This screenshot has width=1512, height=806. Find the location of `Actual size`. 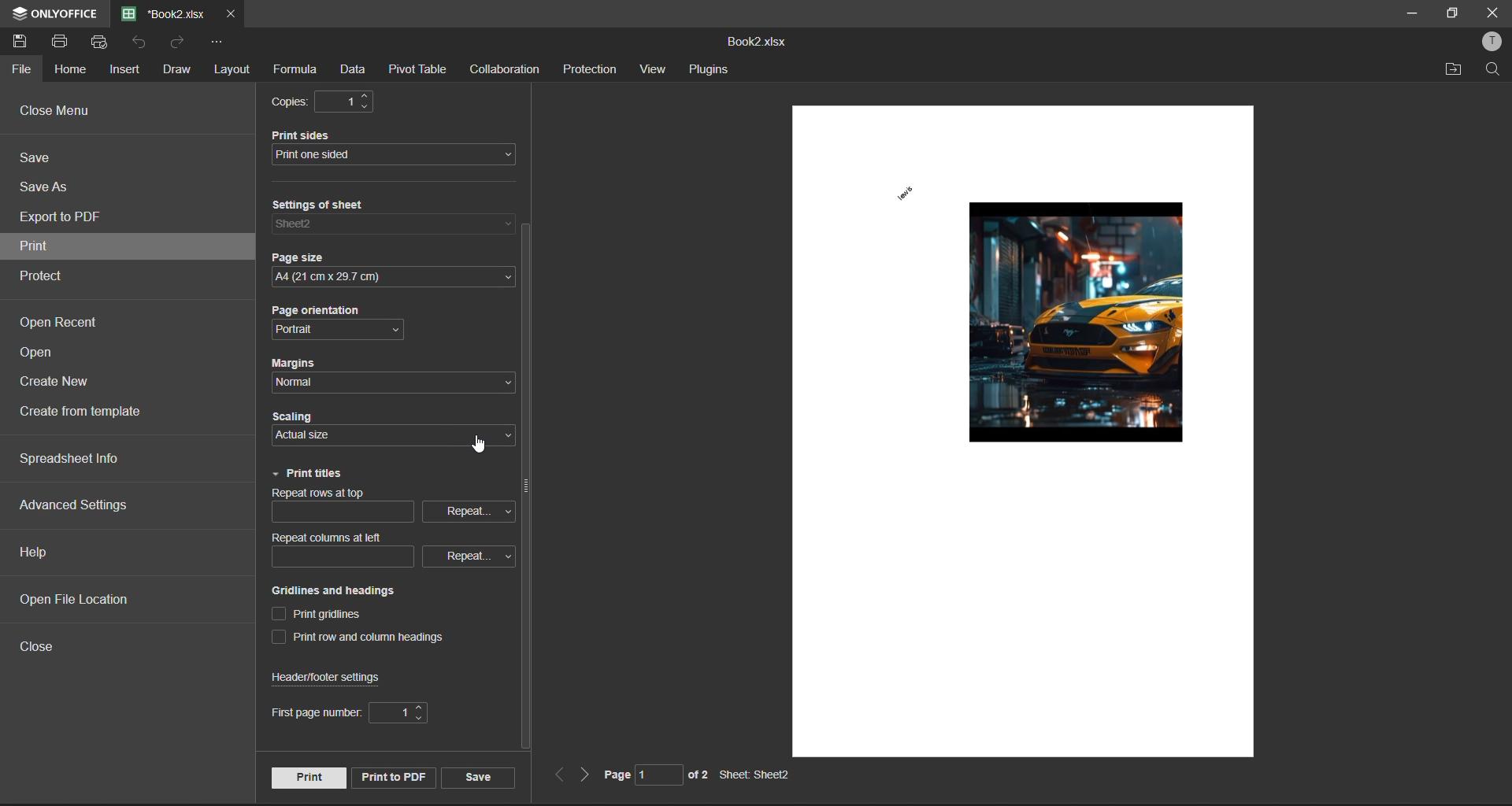

Actual size is located at coordinates (302, 436).